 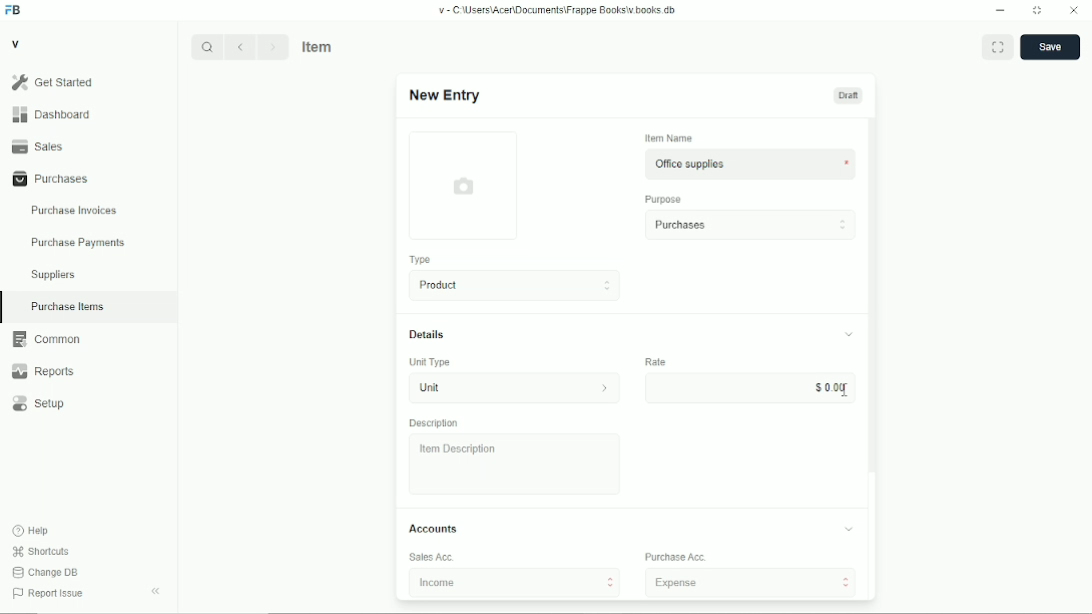 I want to click on draft, so click(x=849, y=95).